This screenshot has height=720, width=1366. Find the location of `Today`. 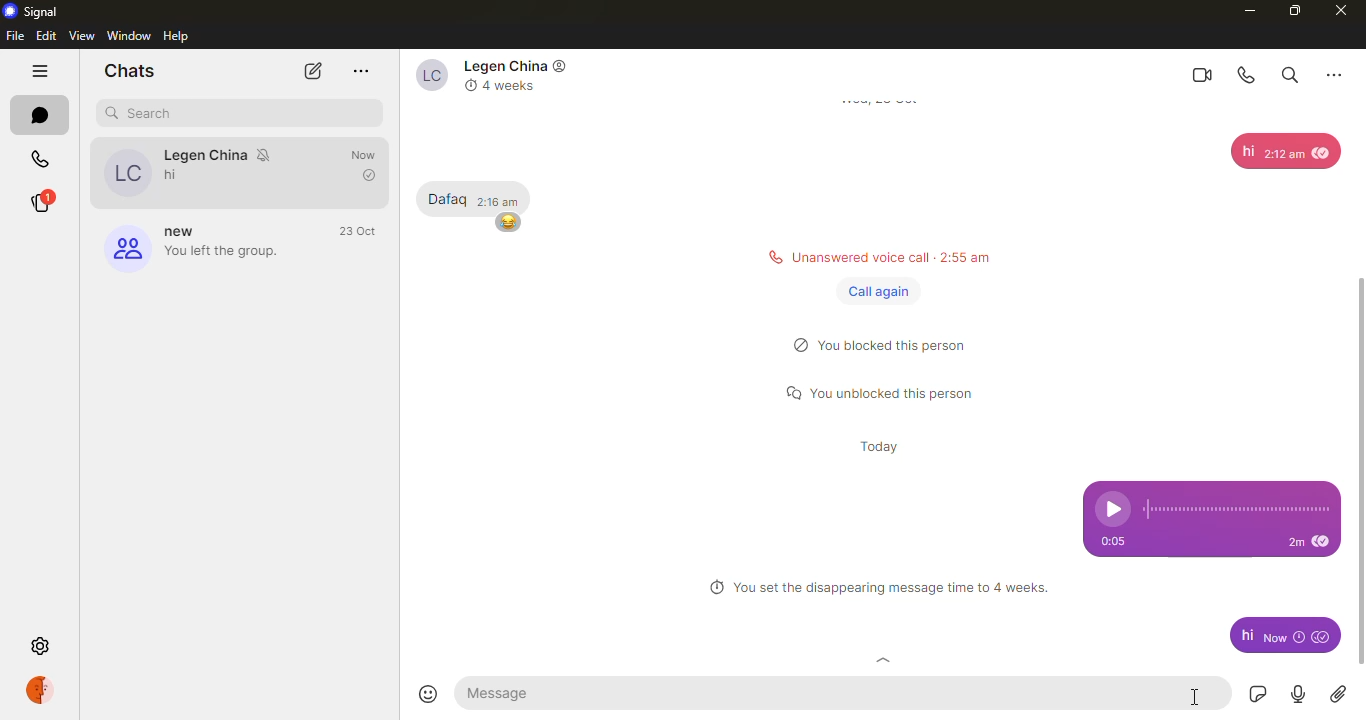

Today is located at coordinates (880, 445).